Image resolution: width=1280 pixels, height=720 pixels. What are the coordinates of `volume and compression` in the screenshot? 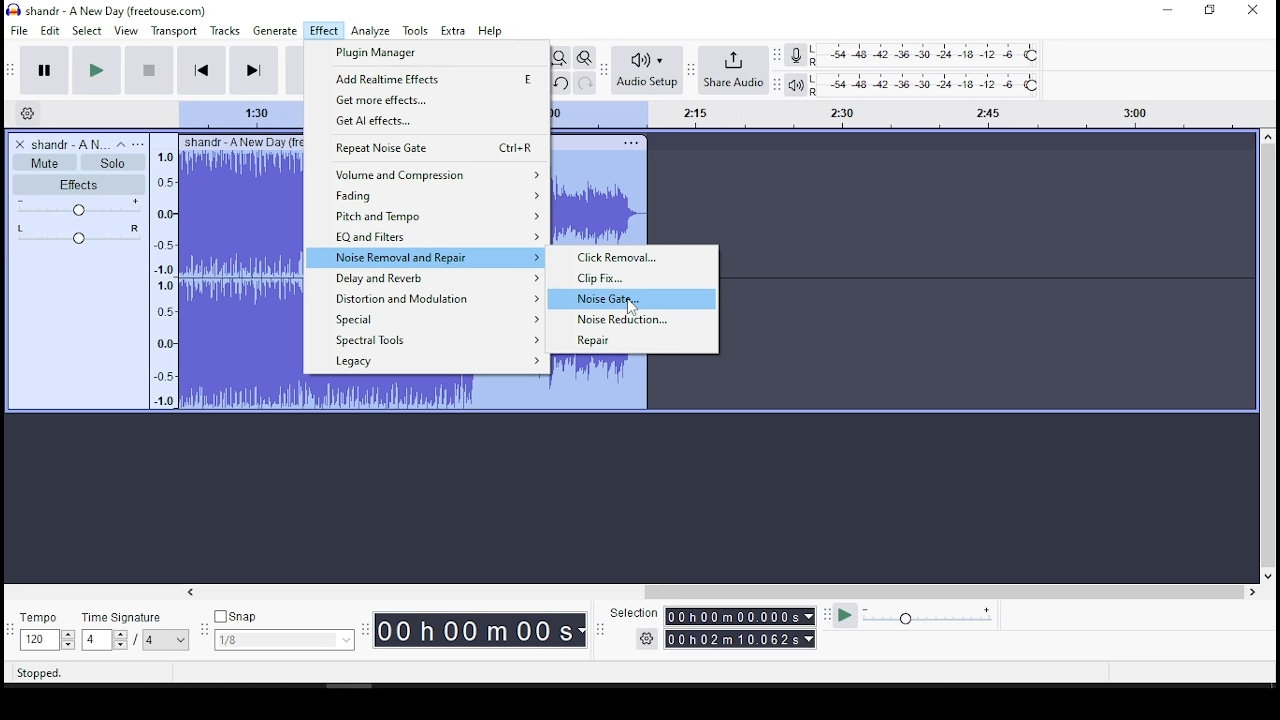 It's located at (427, 173).